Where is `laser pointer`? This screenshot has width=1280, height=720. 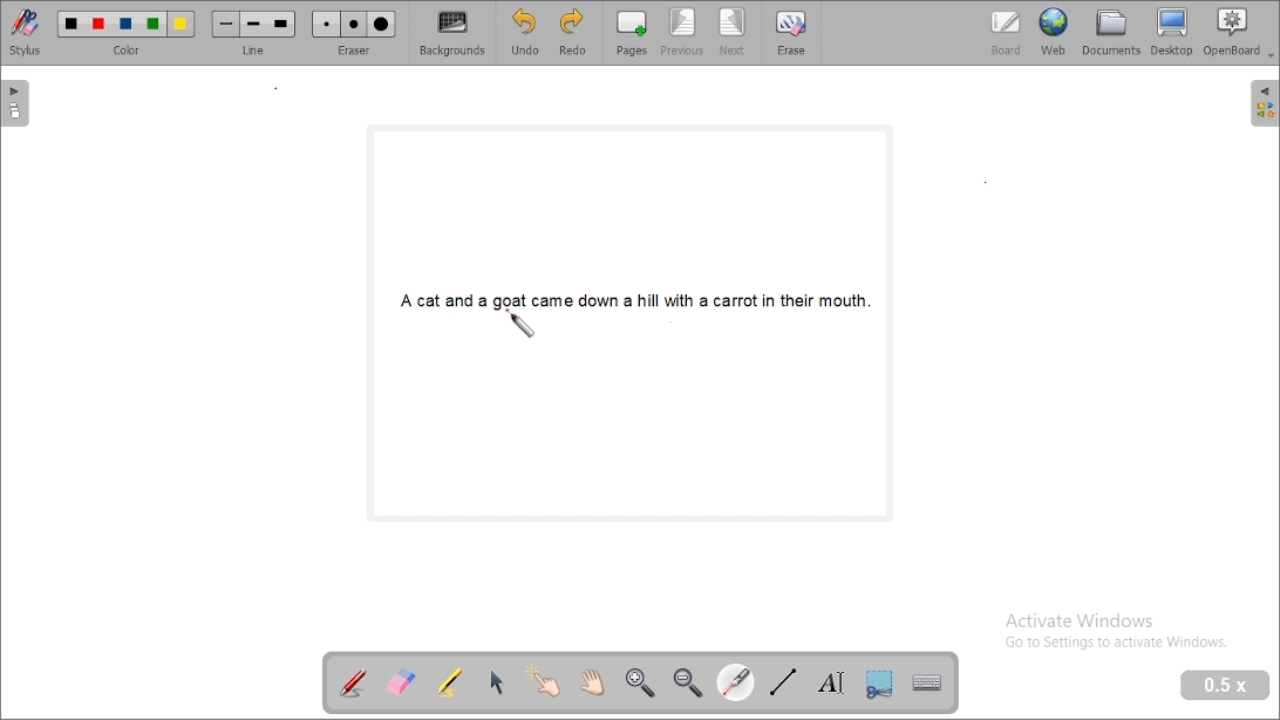 laser pointer is located at coordinates (522, 324).